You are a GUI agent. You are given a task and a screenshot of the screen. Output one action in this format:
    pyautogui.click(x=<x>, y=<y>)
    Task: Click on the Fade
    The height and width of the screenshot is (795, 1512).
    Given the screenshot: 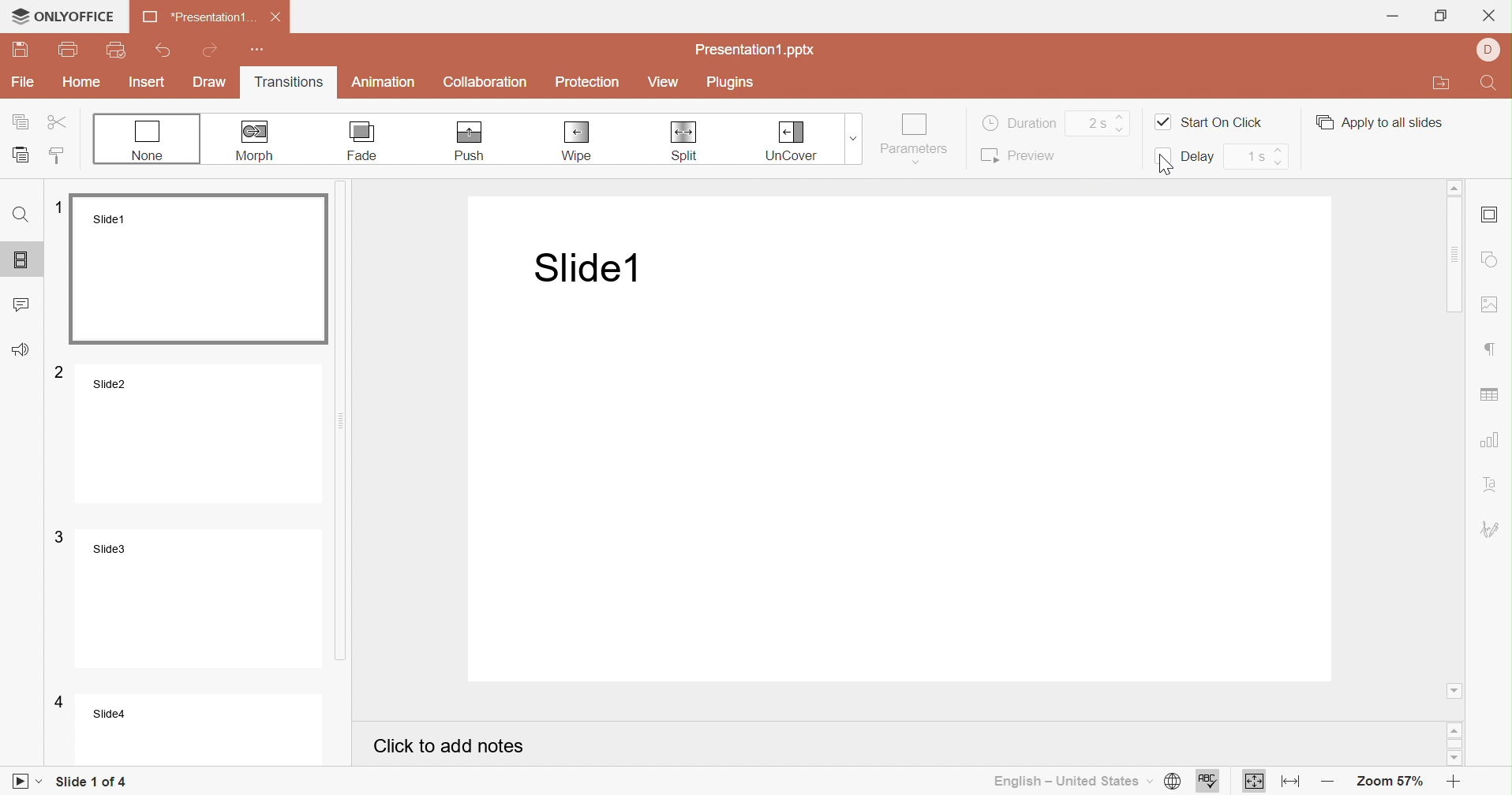 What is the action you would take?
    pyautogui.click(x=364, y=141)
    